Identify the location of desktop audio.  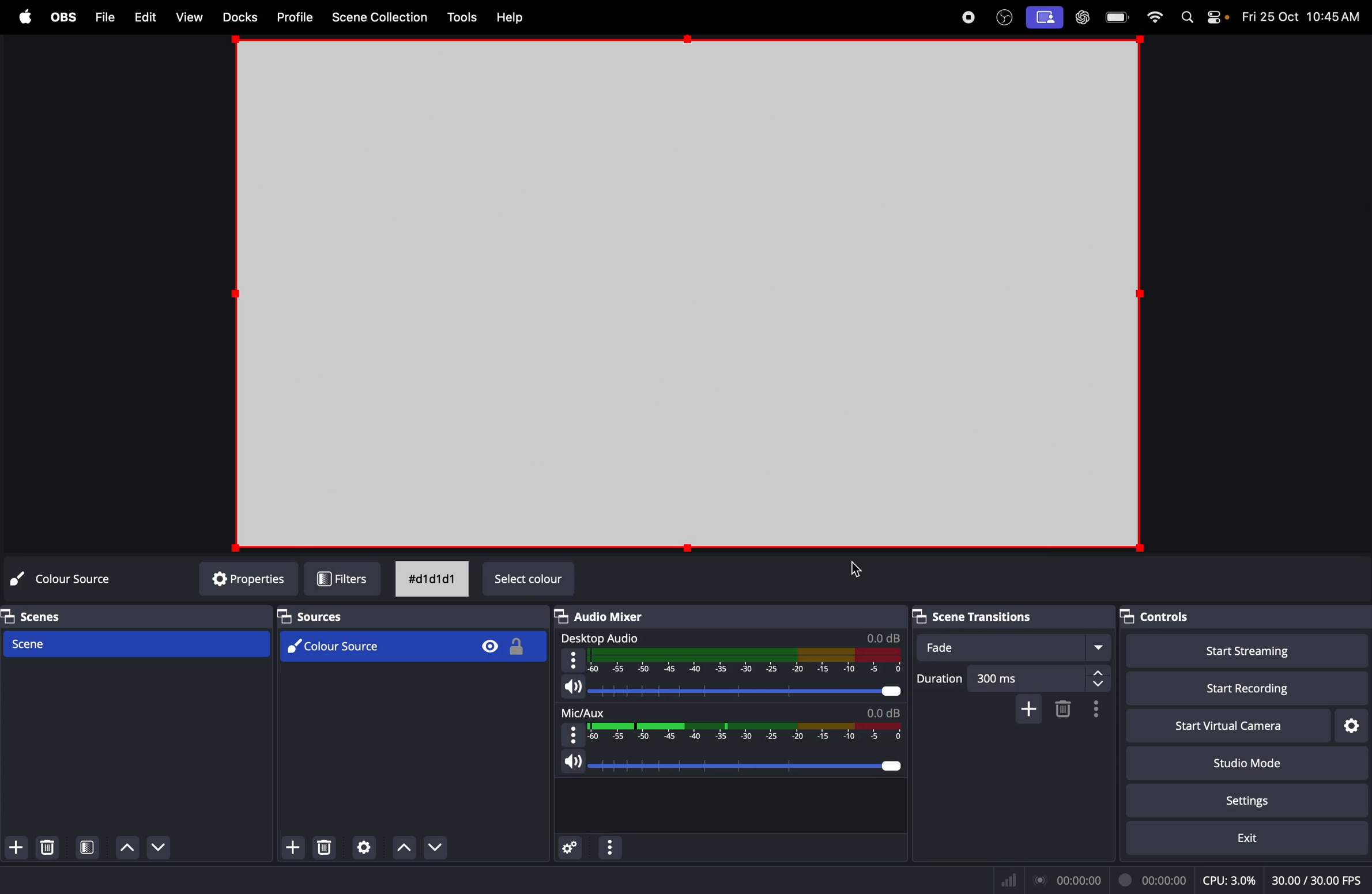
(603, 638).